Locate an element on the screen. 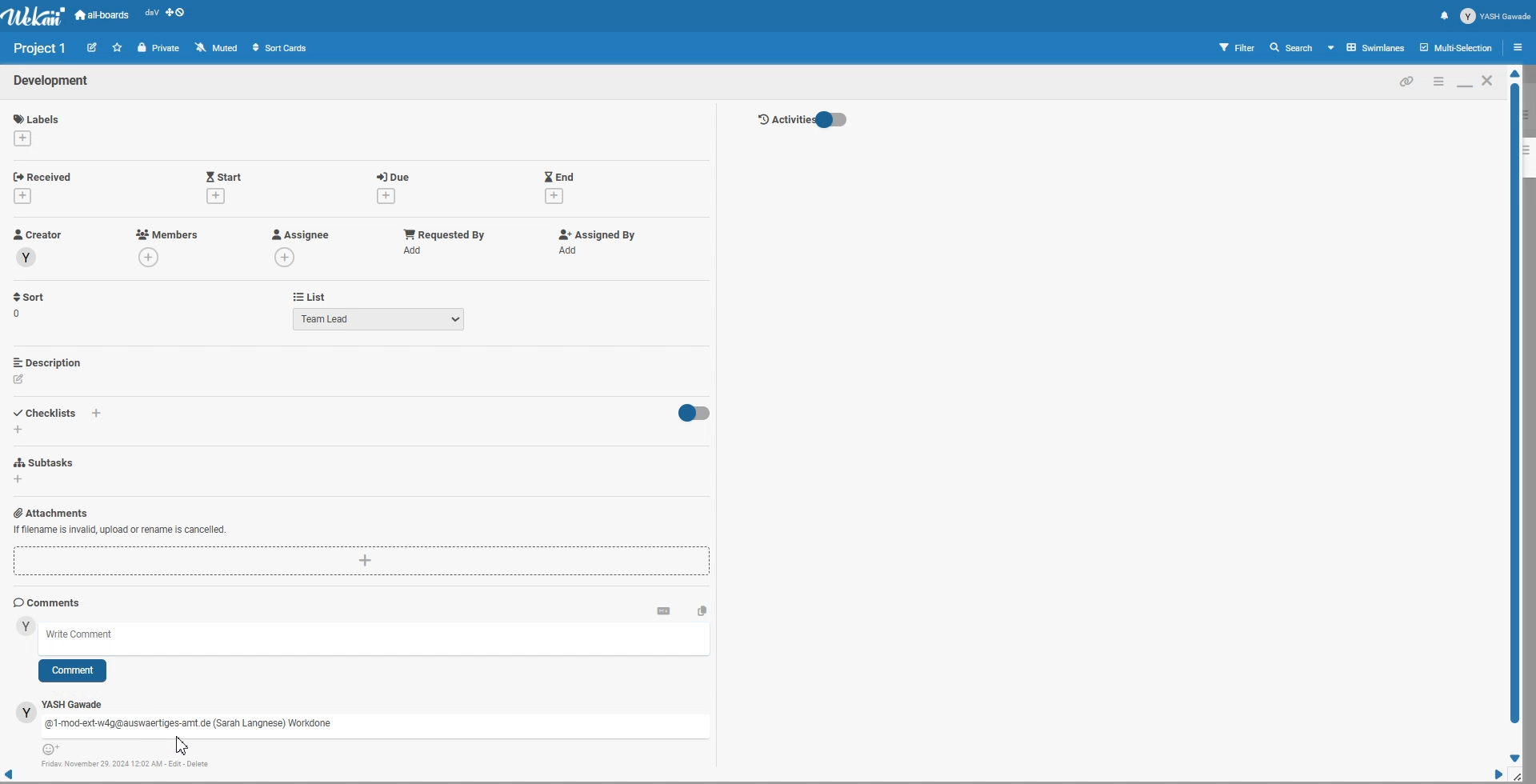  Creator Profile is located at coordinates (38, 235).